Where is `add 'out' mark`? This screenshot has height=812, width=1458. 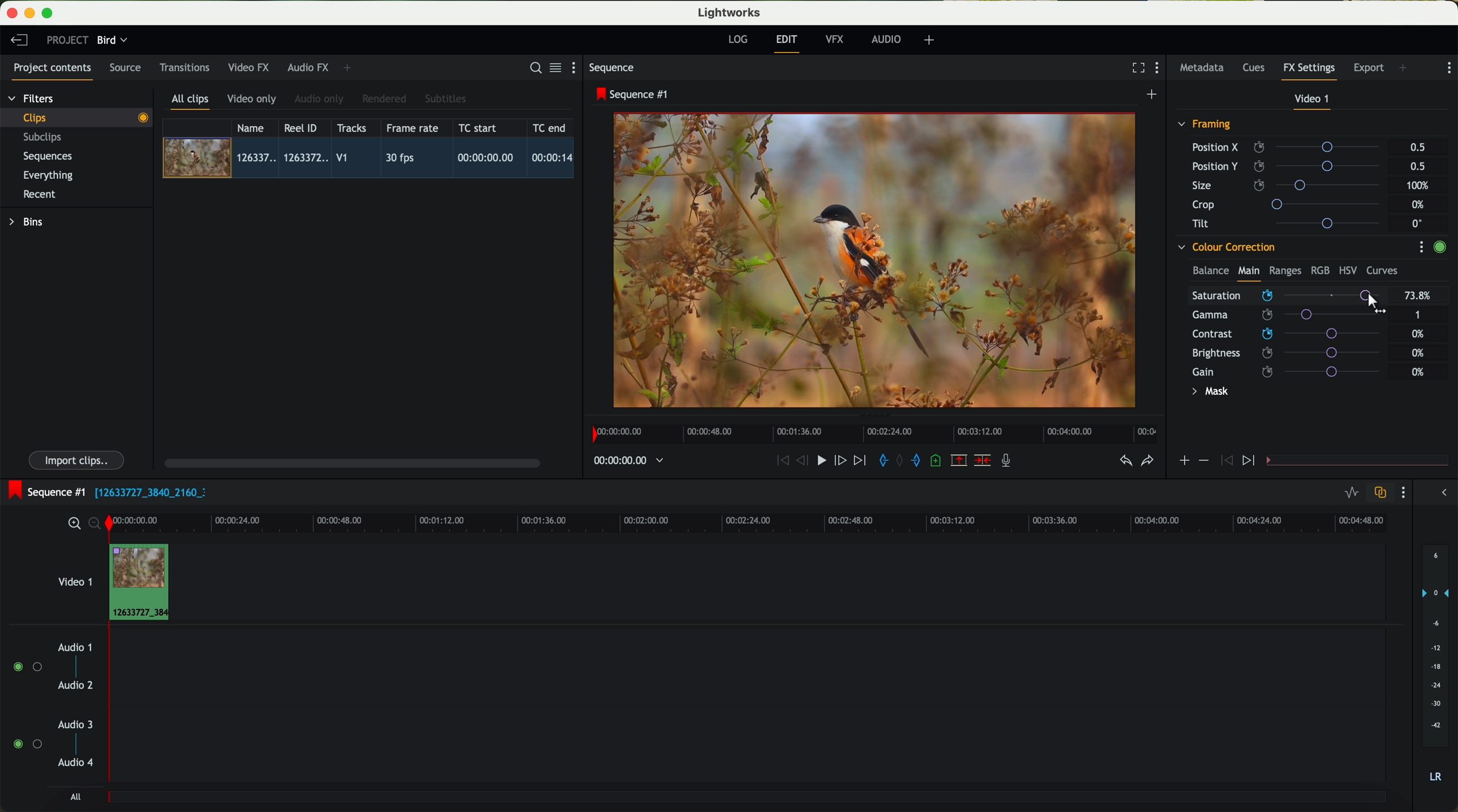
add 'out' mark is located at coordinates (921, 459).